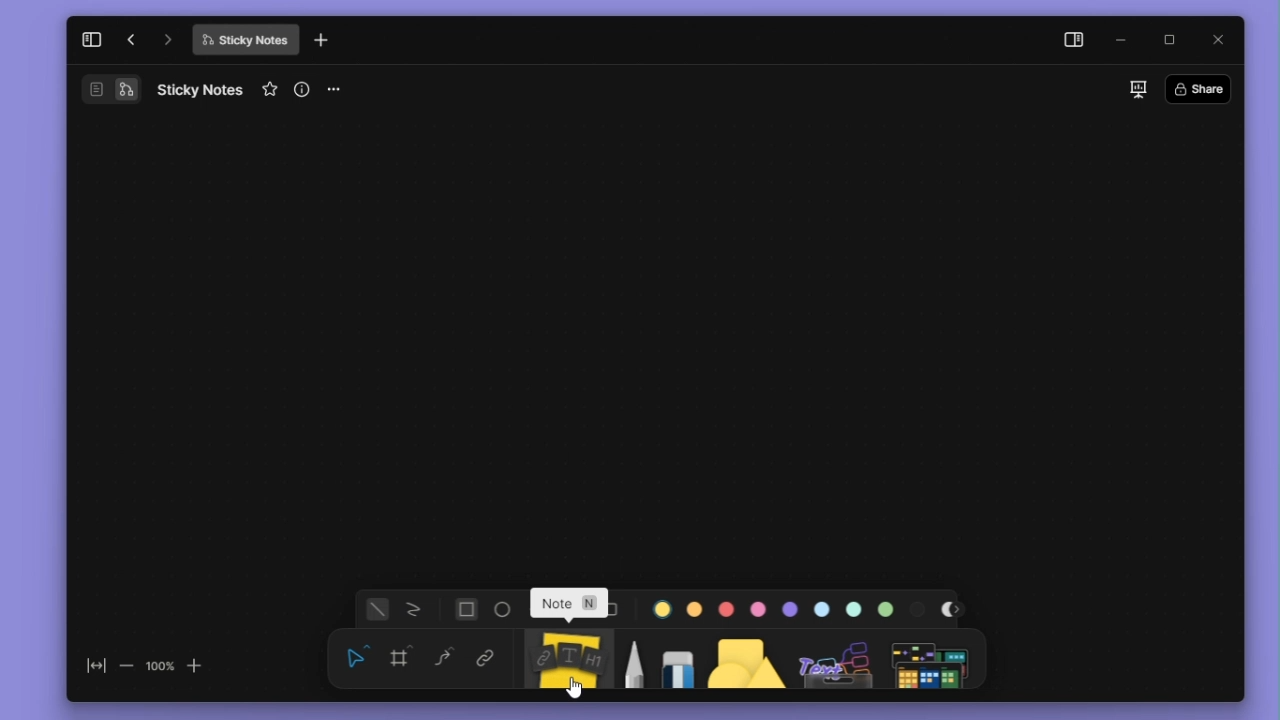 Image resolution: width=1280 pixels, height=720 pixels. Describe the element at coordinates (1219, 37) in the screenshot. I see `close` at that location.